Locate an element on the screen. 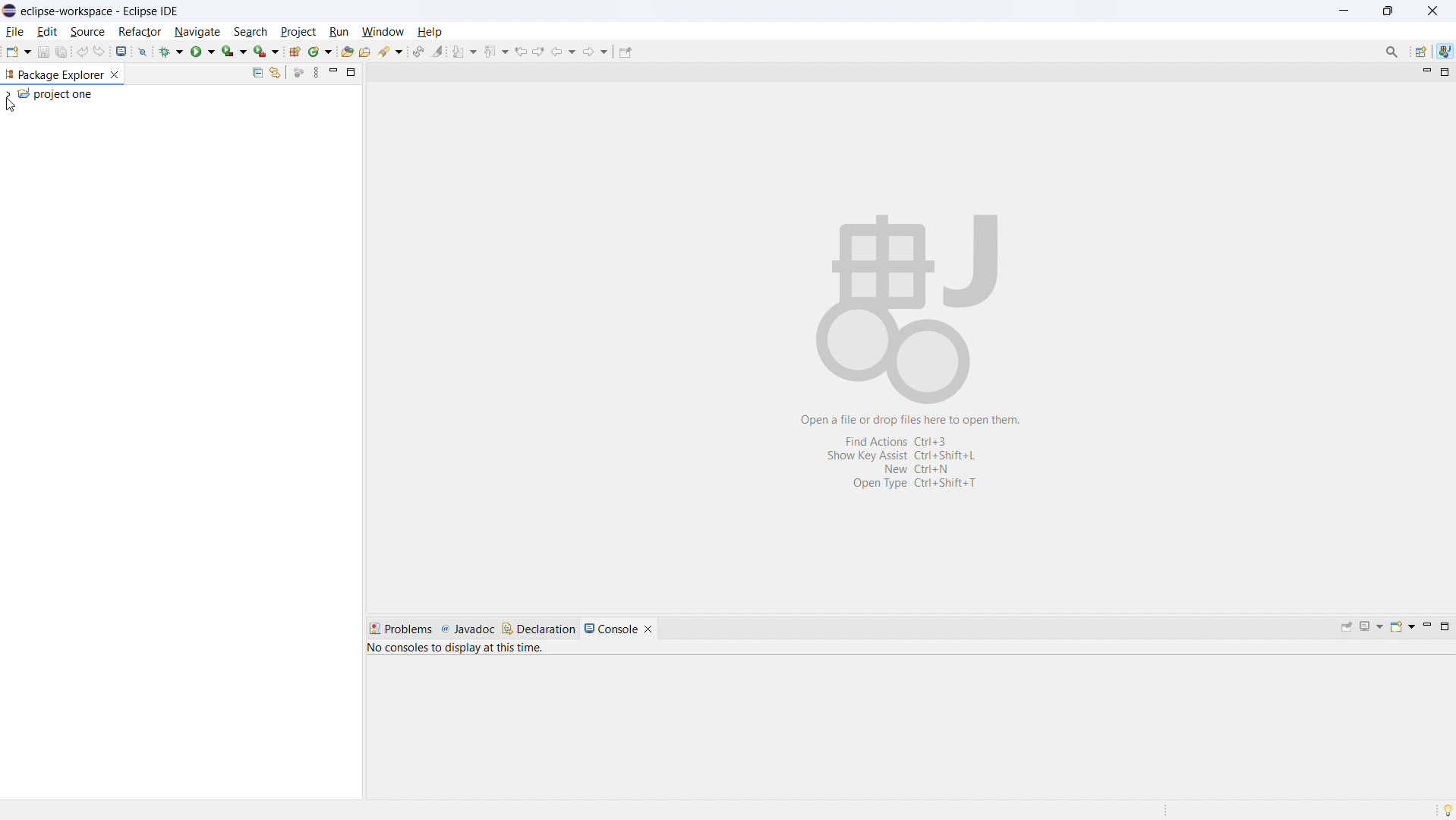 This screenshot has width=1456, height=820. help is located at coordinates (433, 30).